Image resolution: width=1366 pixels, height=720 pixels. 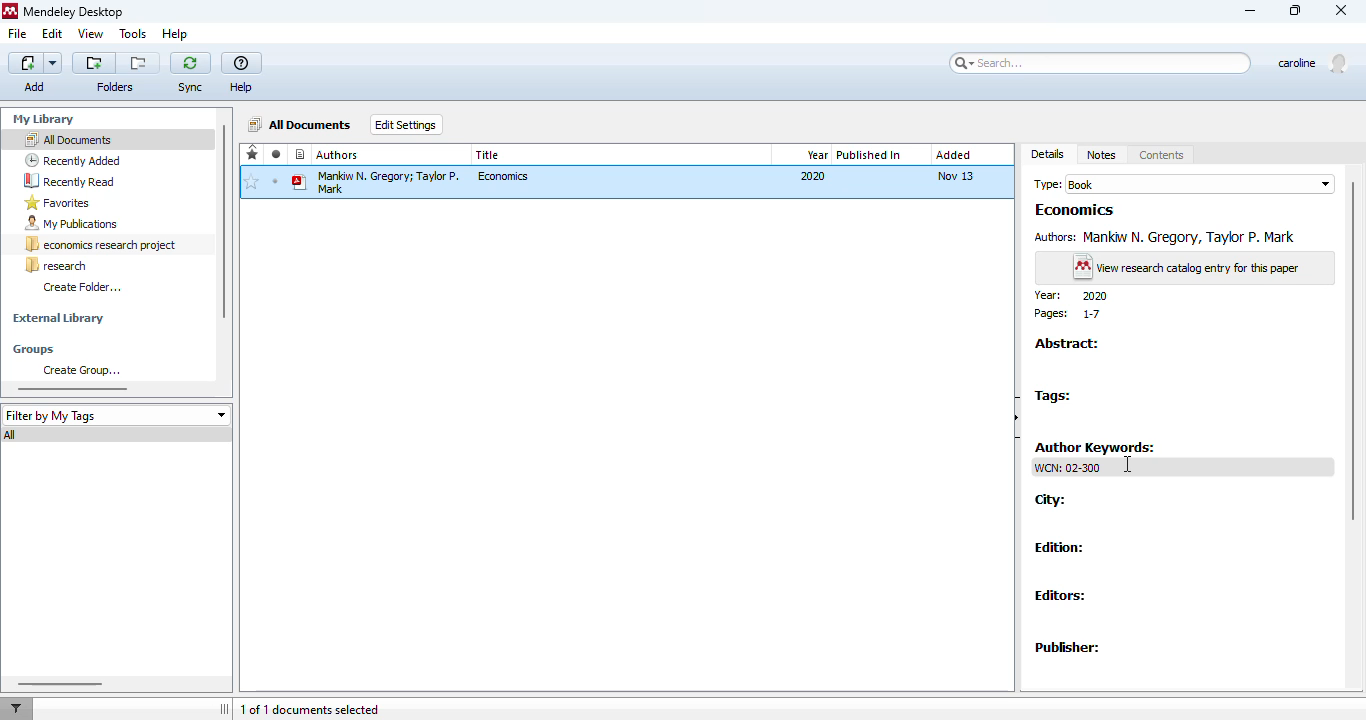 What do you see at coordinates (18, 33) in the screenshot?
I see `file` at bounding box center [18, 33].